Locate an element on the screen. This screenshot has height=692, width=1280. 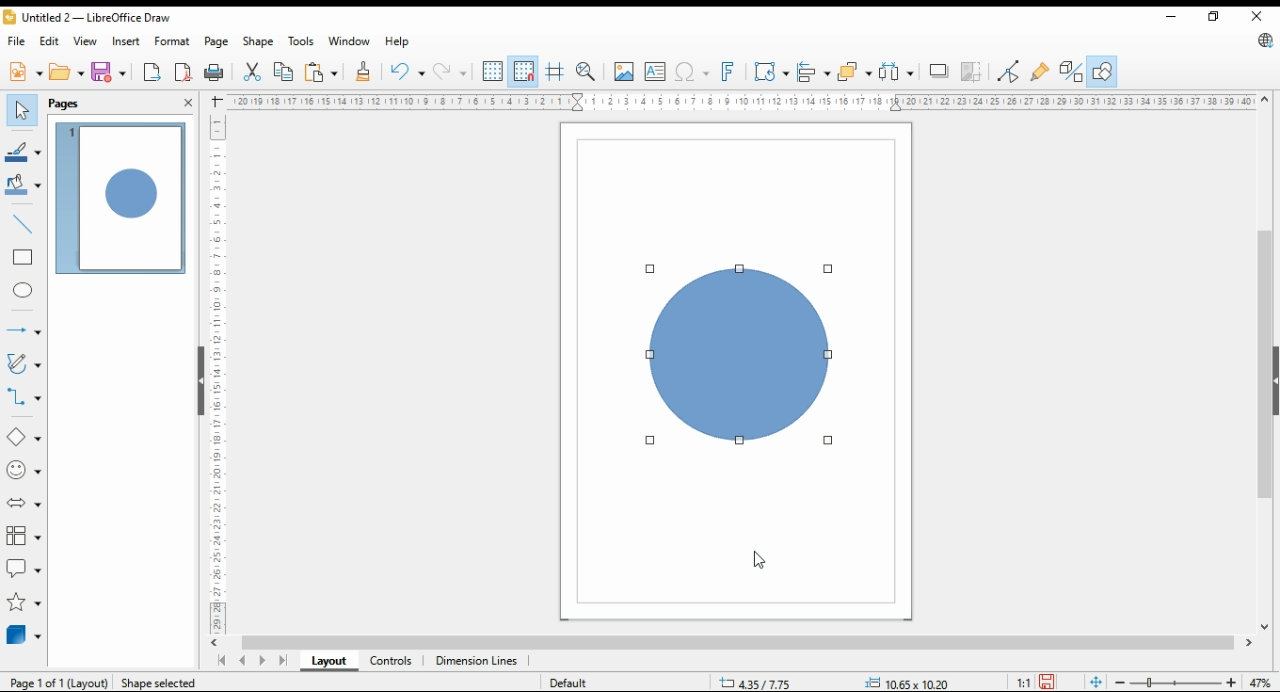
transformations is located at coordinates (771, 71).